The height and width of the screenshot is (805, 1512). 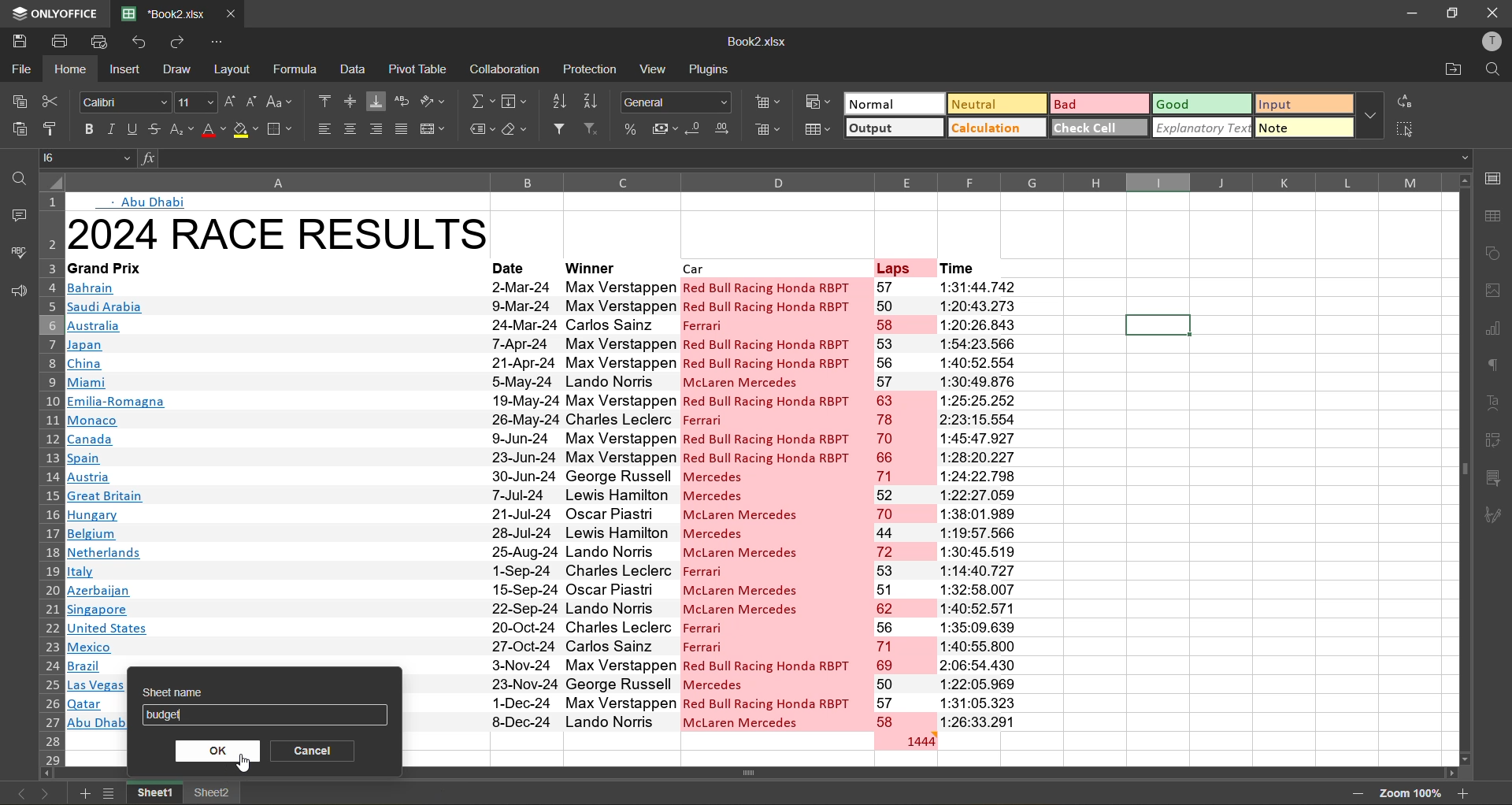 What do you see at coordinates (124, 69) in the screenshot?
I see `insert` at bounding box center [124, 69].